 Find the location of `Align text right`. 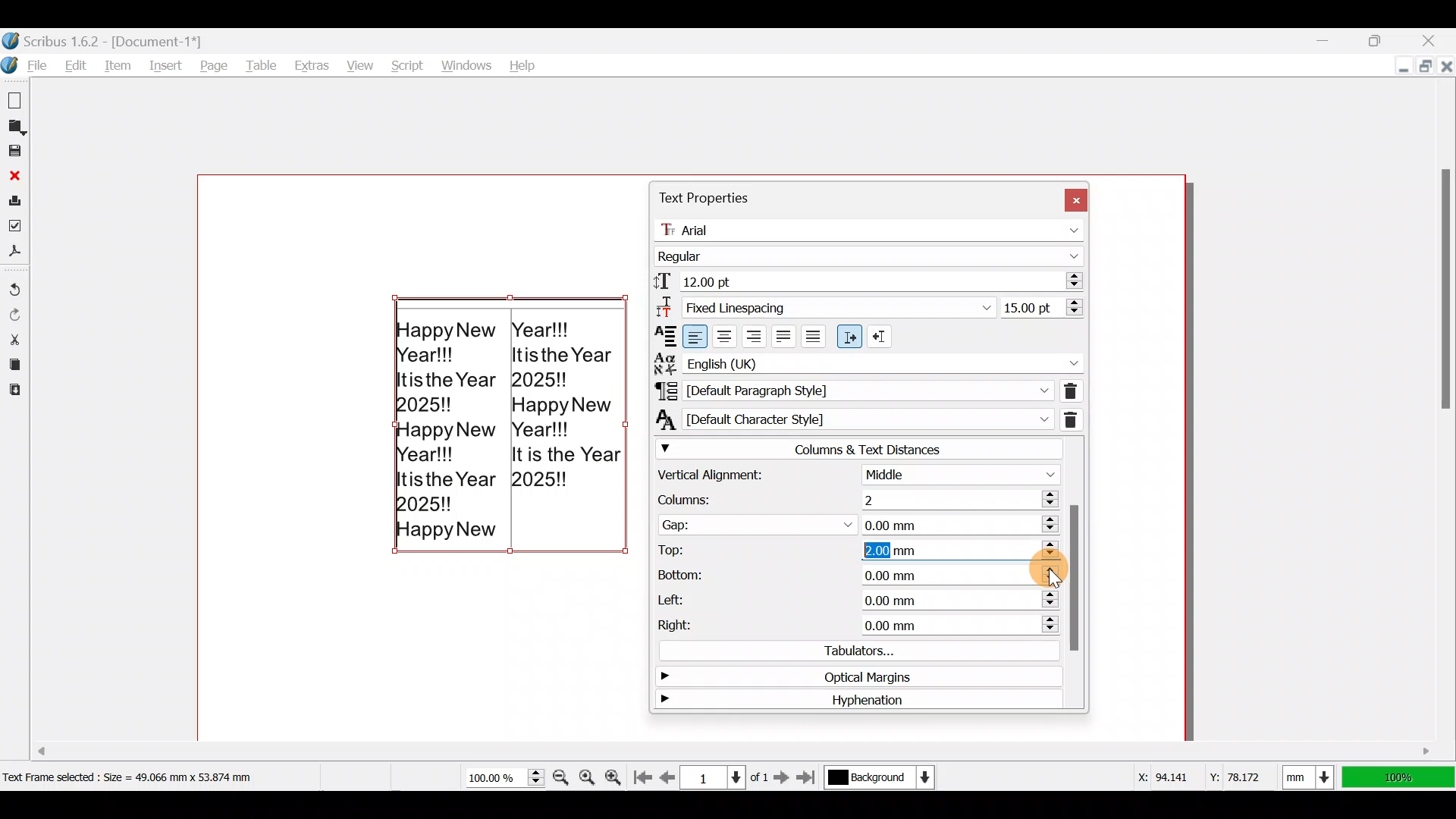

Align text right is located at coordinates (755, 334).